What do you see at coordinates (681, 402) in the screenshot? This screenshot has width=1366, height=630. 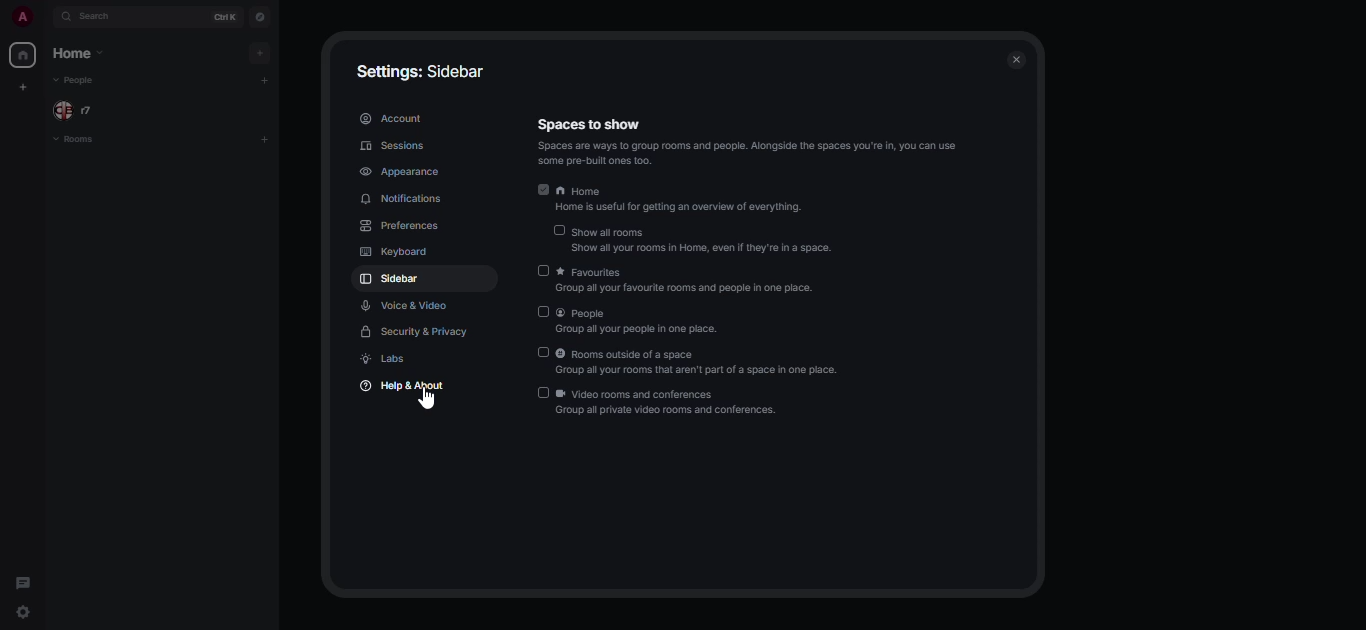 I see `video rooms and conferences group all private video rooms and conferences` at bounding box center [681, 402].